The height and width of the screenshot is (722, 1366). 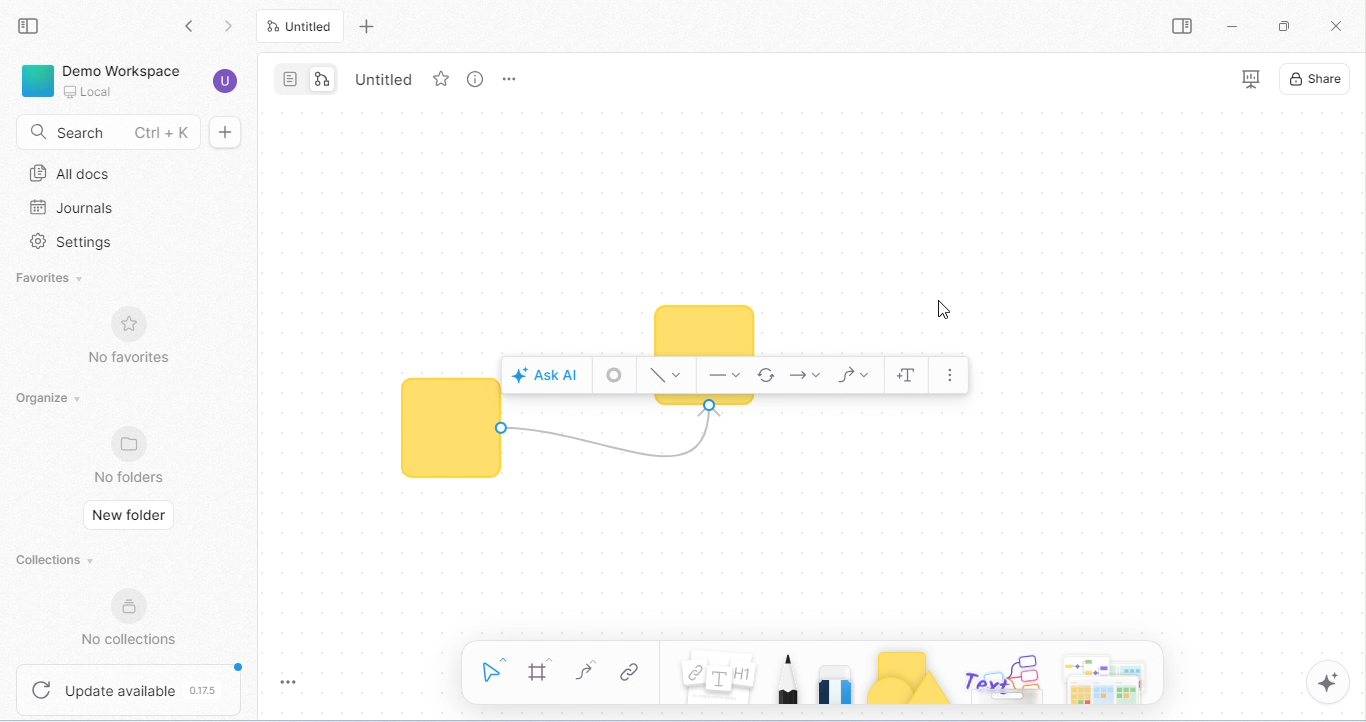 What do you see at coordinates (952, 375) in the screenshot?
I see `more` at bounding box center [952, 375].